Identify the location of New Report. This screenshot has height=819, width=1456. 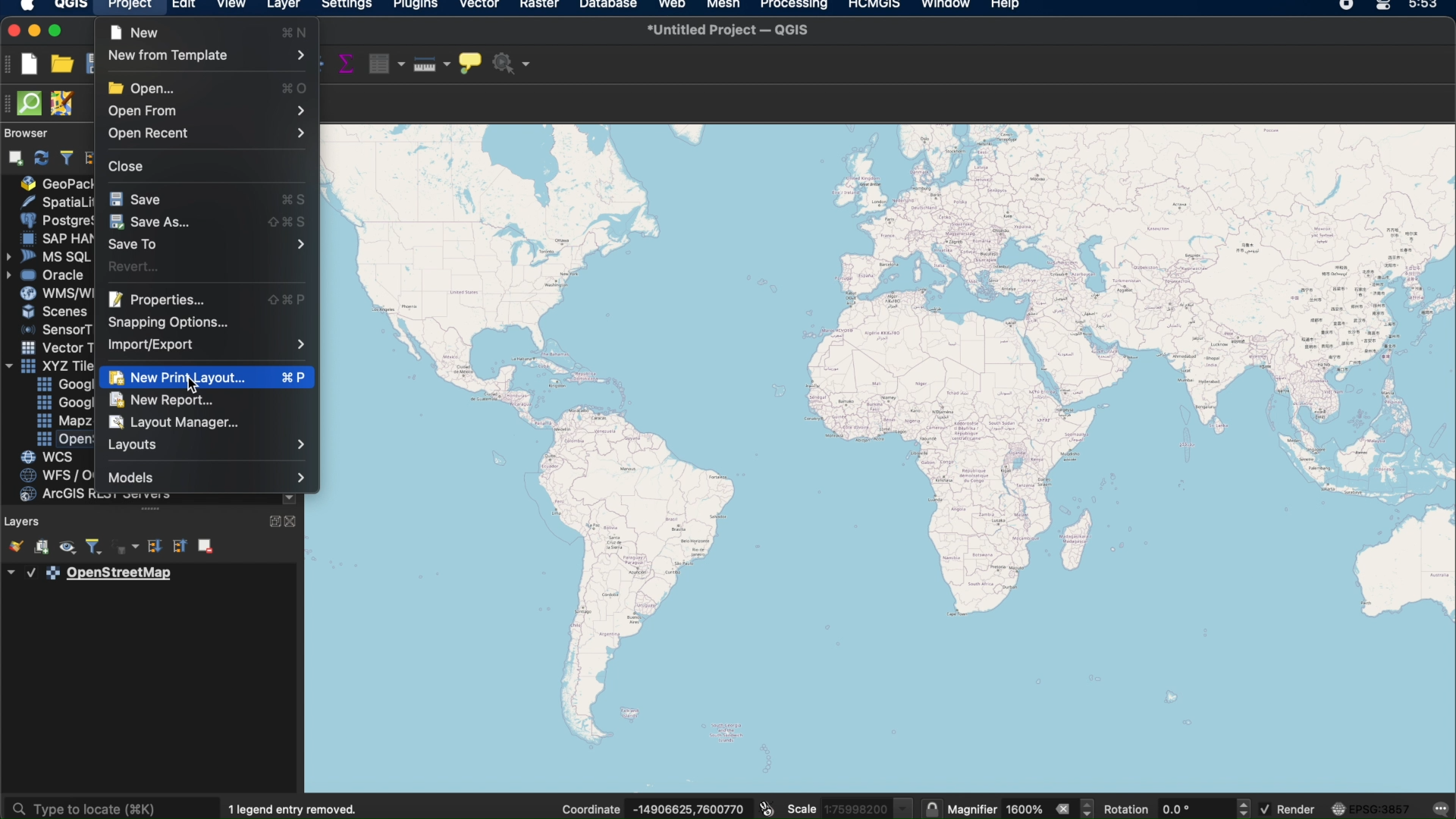
(162, 400).